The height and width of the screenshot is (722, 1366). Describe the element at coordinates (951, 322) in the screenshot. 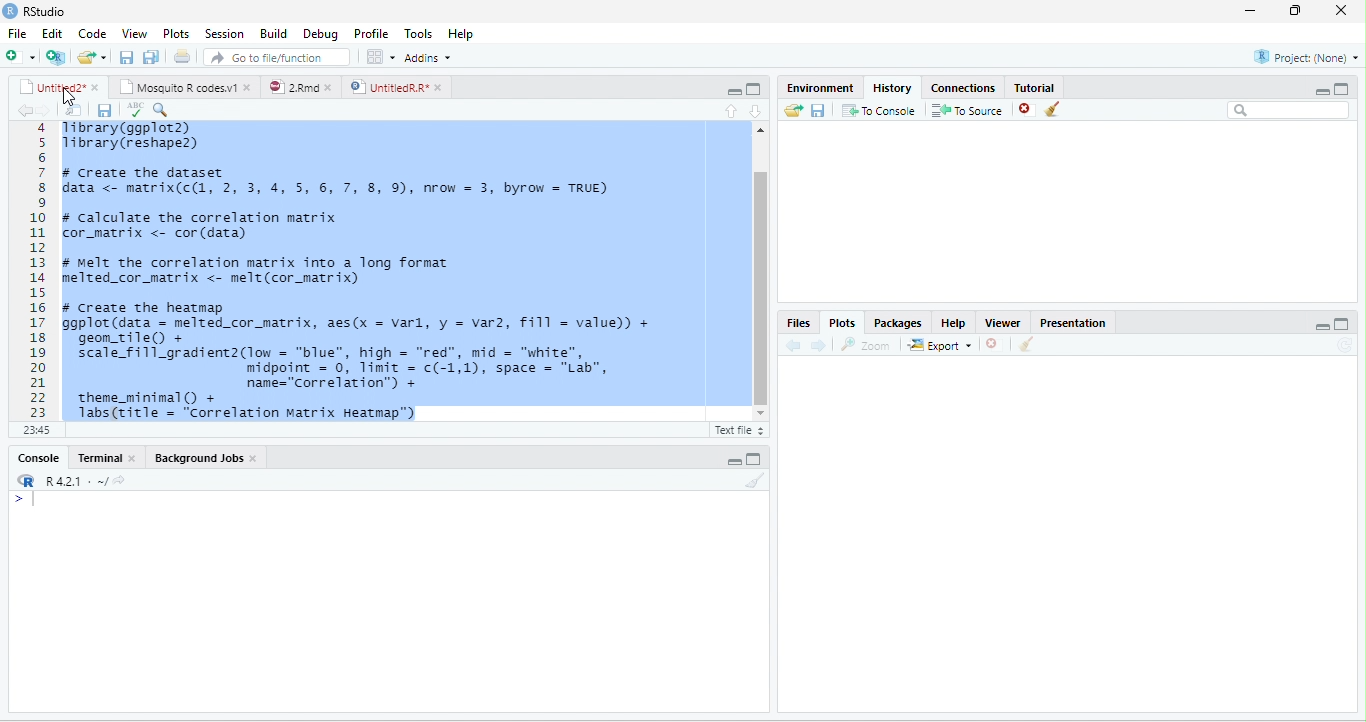

I see `help` at that location.